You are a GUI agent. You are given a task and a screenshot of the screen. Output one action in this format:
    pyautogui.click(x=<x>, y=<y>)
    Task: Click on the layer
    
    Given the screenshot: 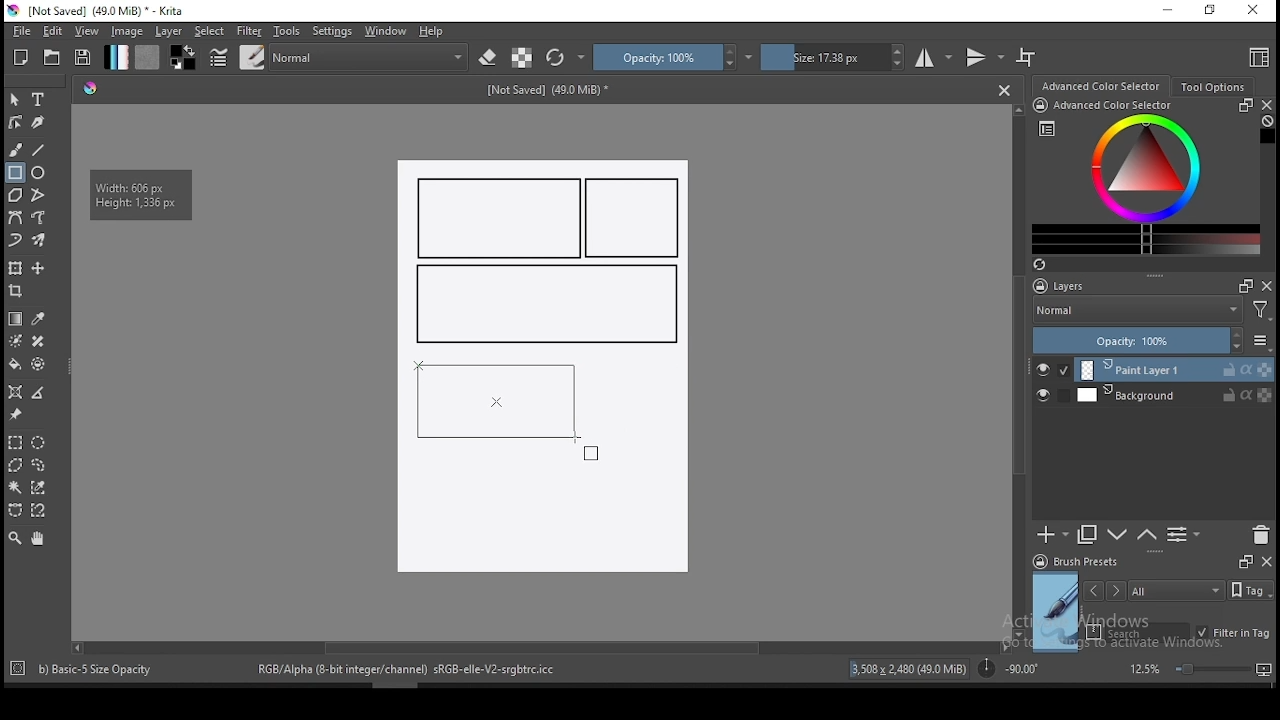 What is the action you would take?
    pyautogui.click(x=1174, y=395)
    